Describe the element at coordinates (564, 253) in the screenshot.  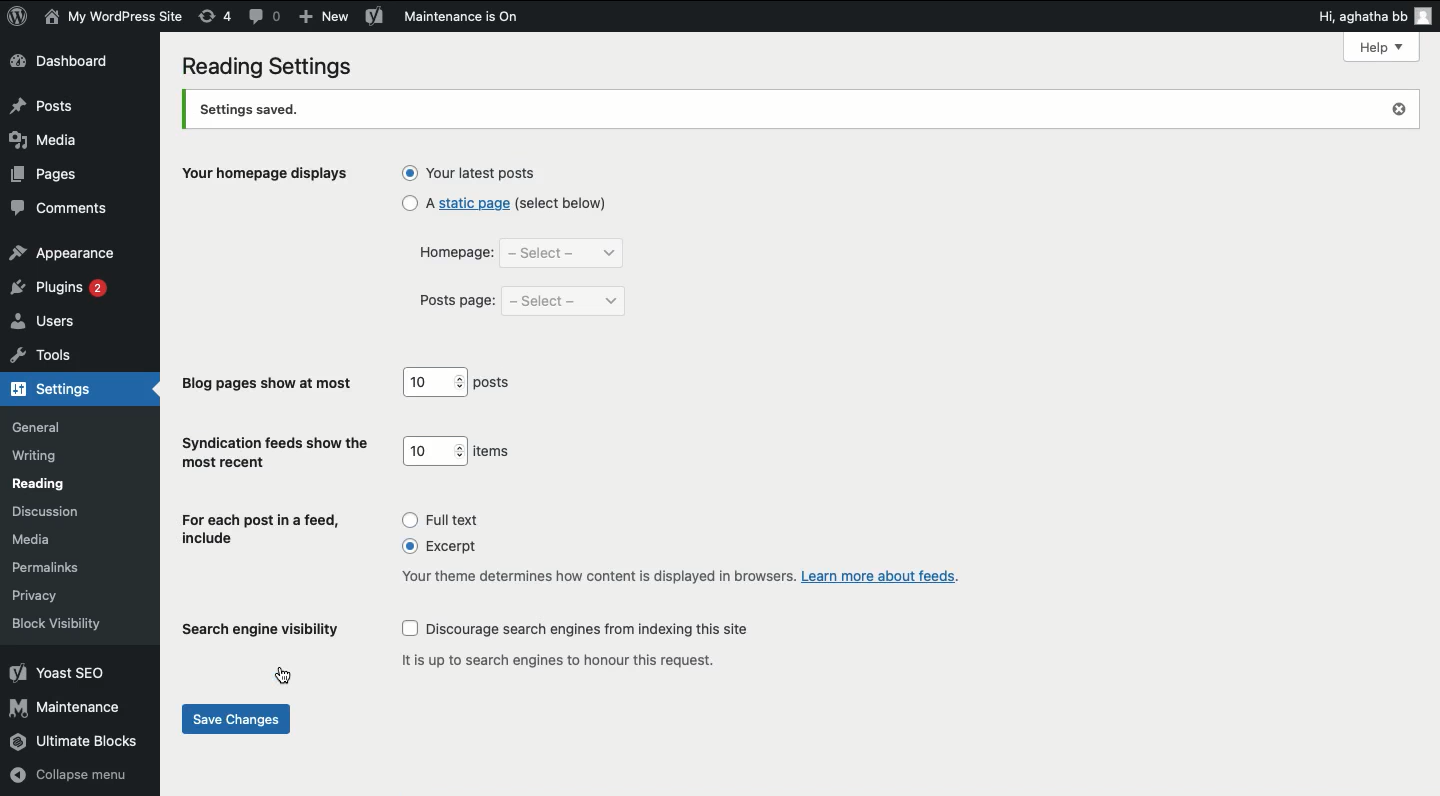
I see `select` at that location.